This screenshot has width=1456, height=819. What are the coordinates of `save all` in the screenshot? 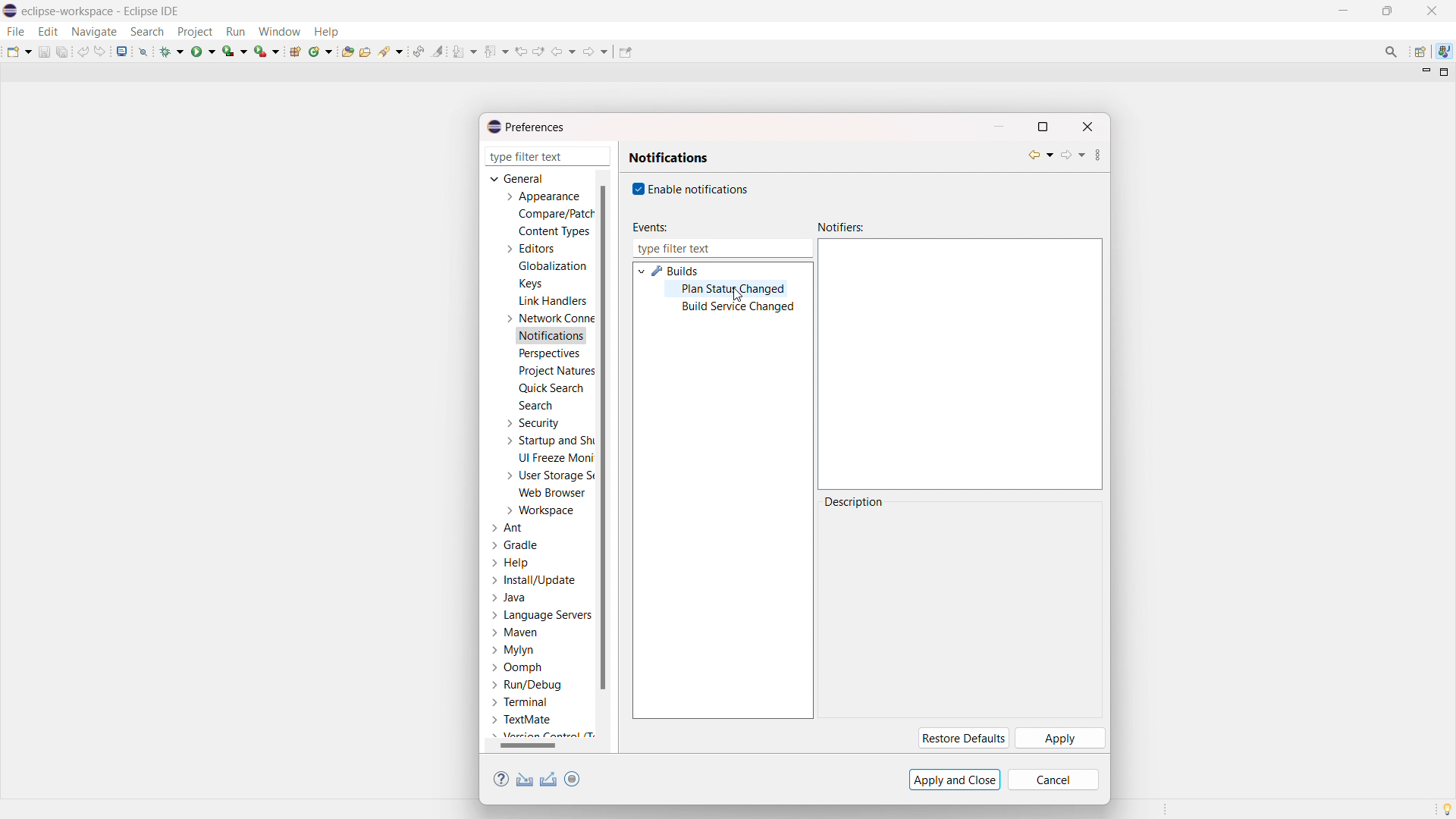 It's located at (64, 51).